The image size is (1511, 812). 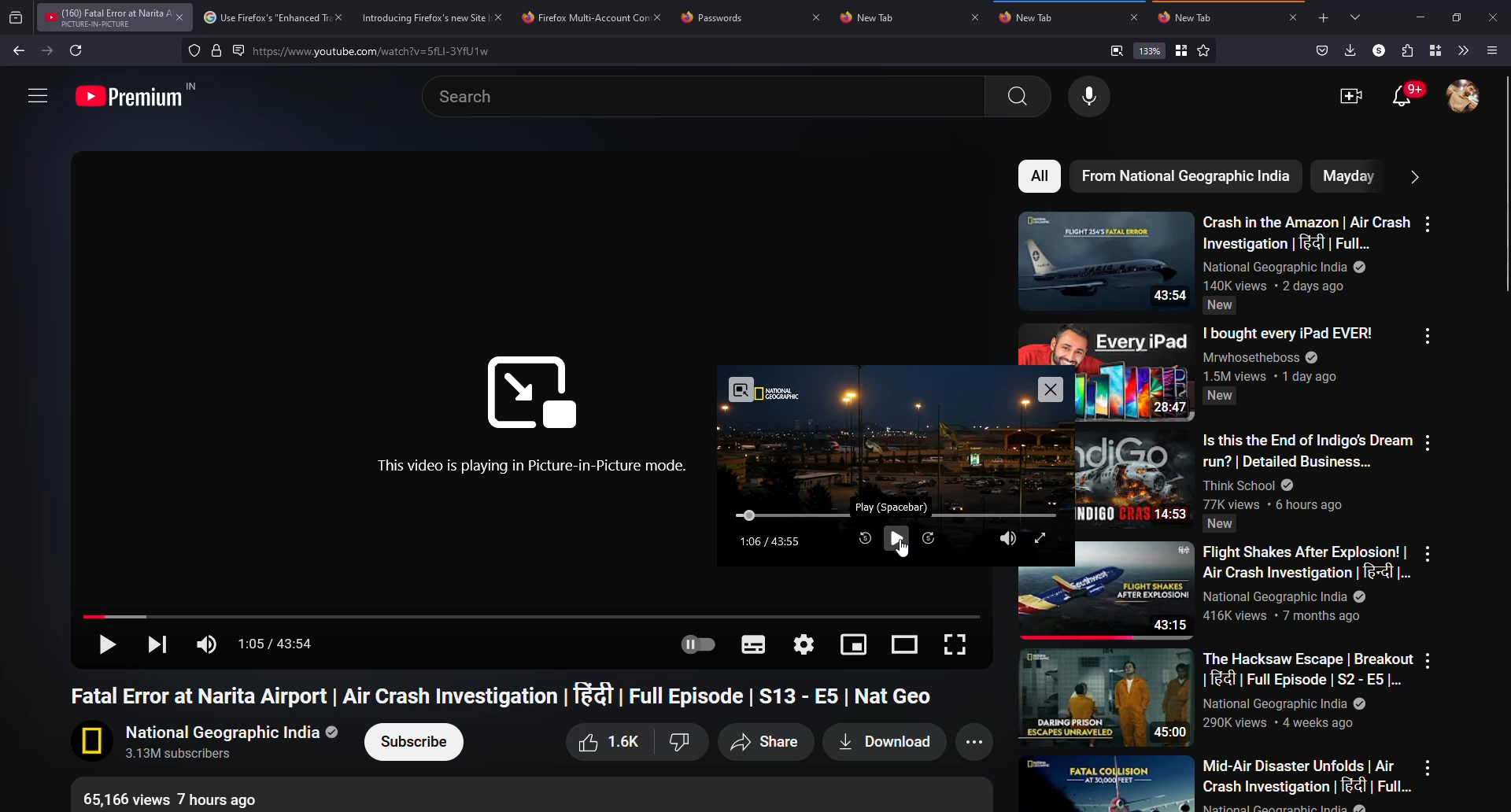 What do you see at coordinates (1041, 176) in the screenshot?
I see `all` at bounding box center [1041, 176].